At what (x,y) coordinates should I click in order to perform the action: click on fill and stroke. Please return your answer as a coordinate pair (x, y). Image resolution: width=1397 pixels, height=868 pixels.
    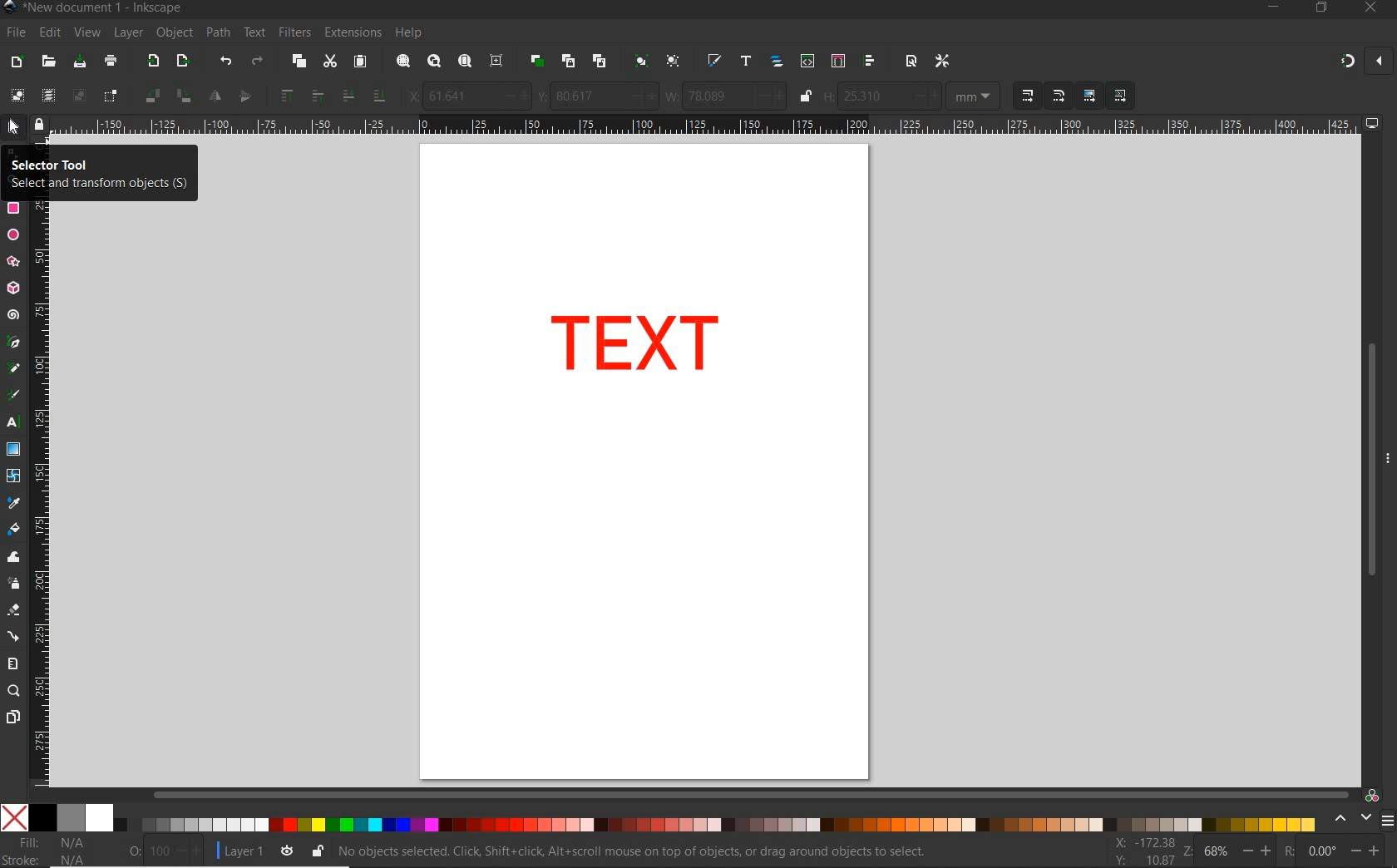
    Looking at the image, I should click on (51, 851).